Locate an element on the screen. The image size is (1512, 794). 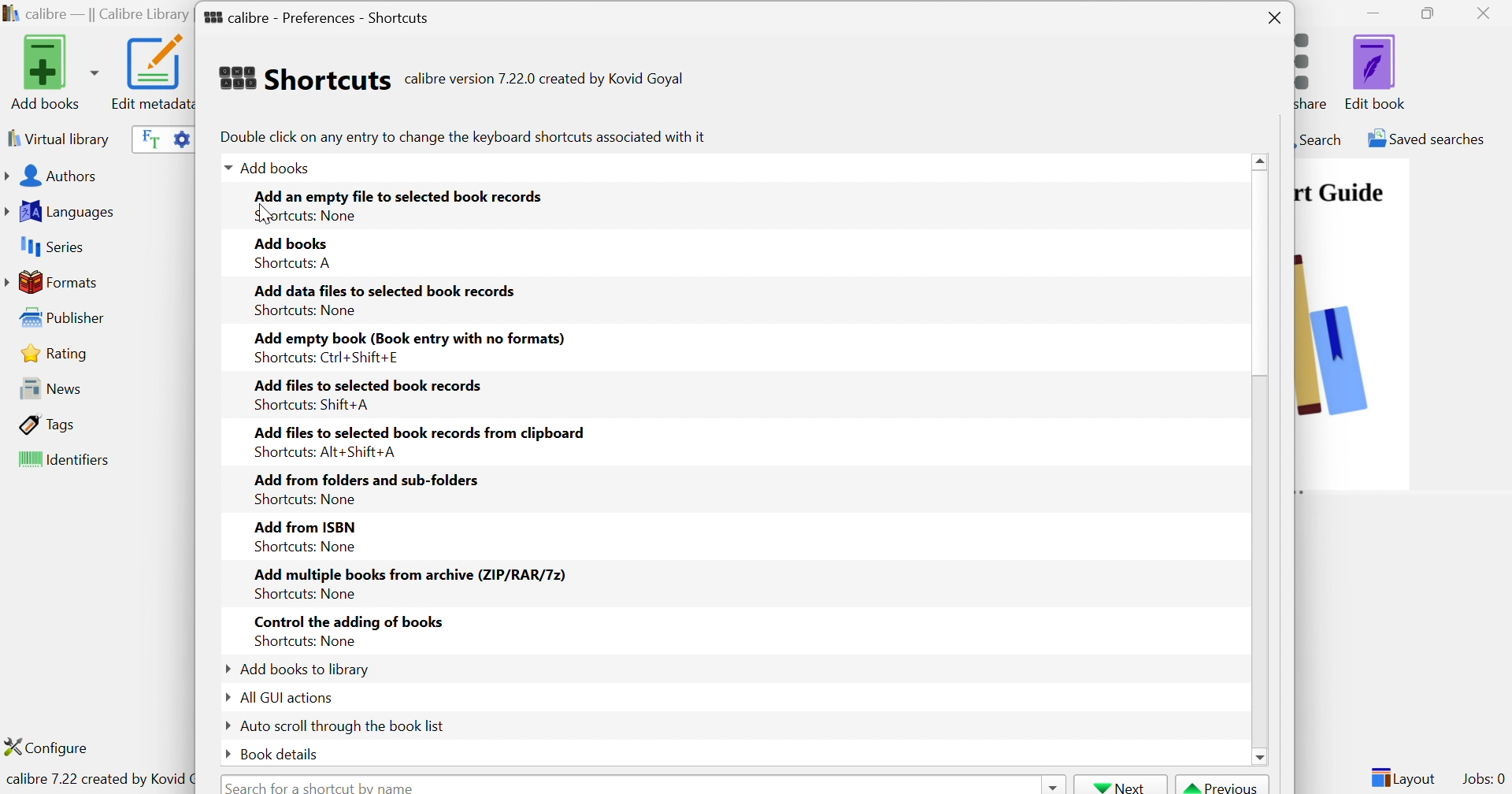
Drop Down is located at coordinates (222, 755).